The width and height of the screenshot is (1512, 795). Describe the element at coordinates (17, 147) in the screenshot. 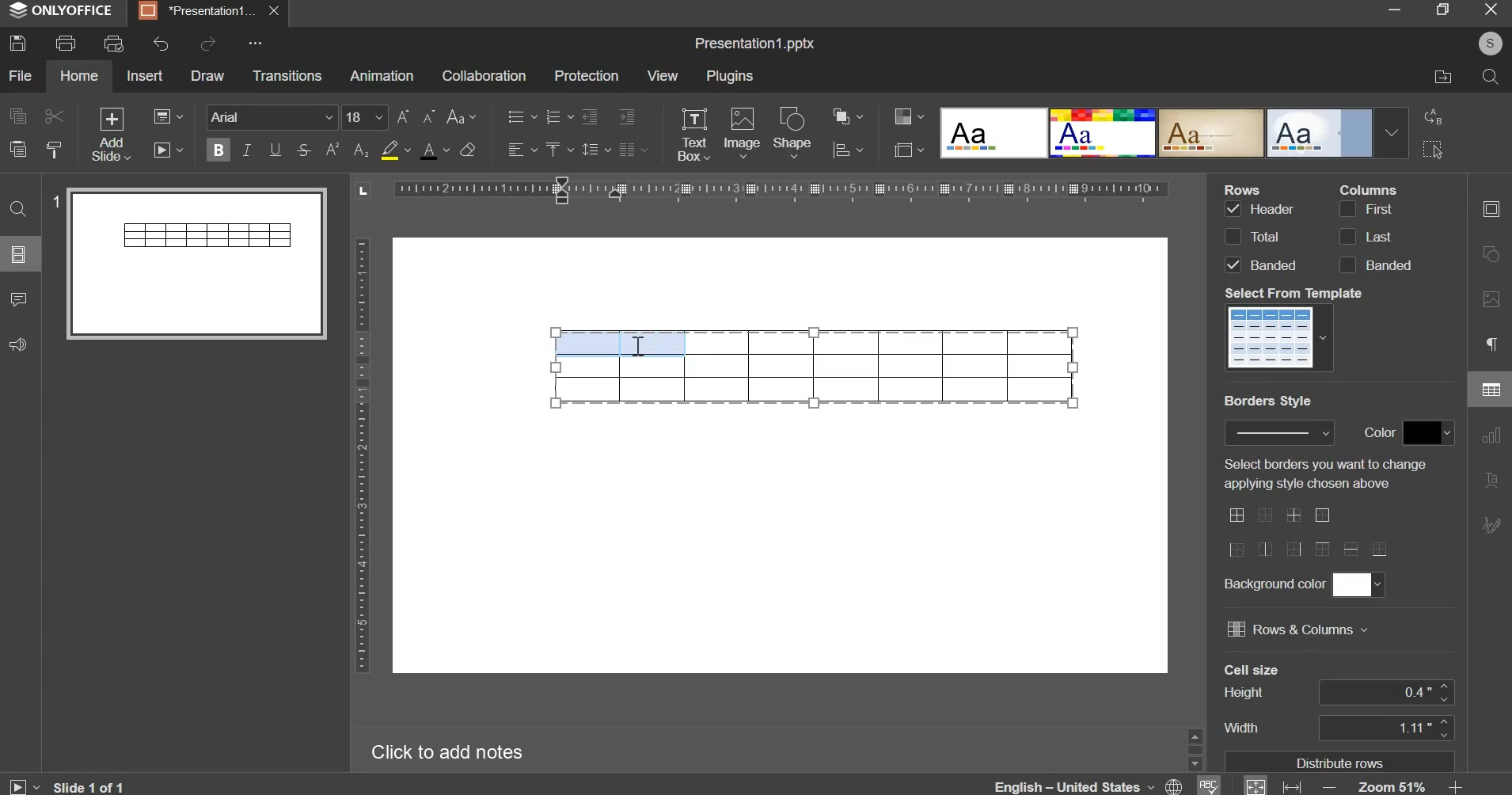

I see `paste` at that location.